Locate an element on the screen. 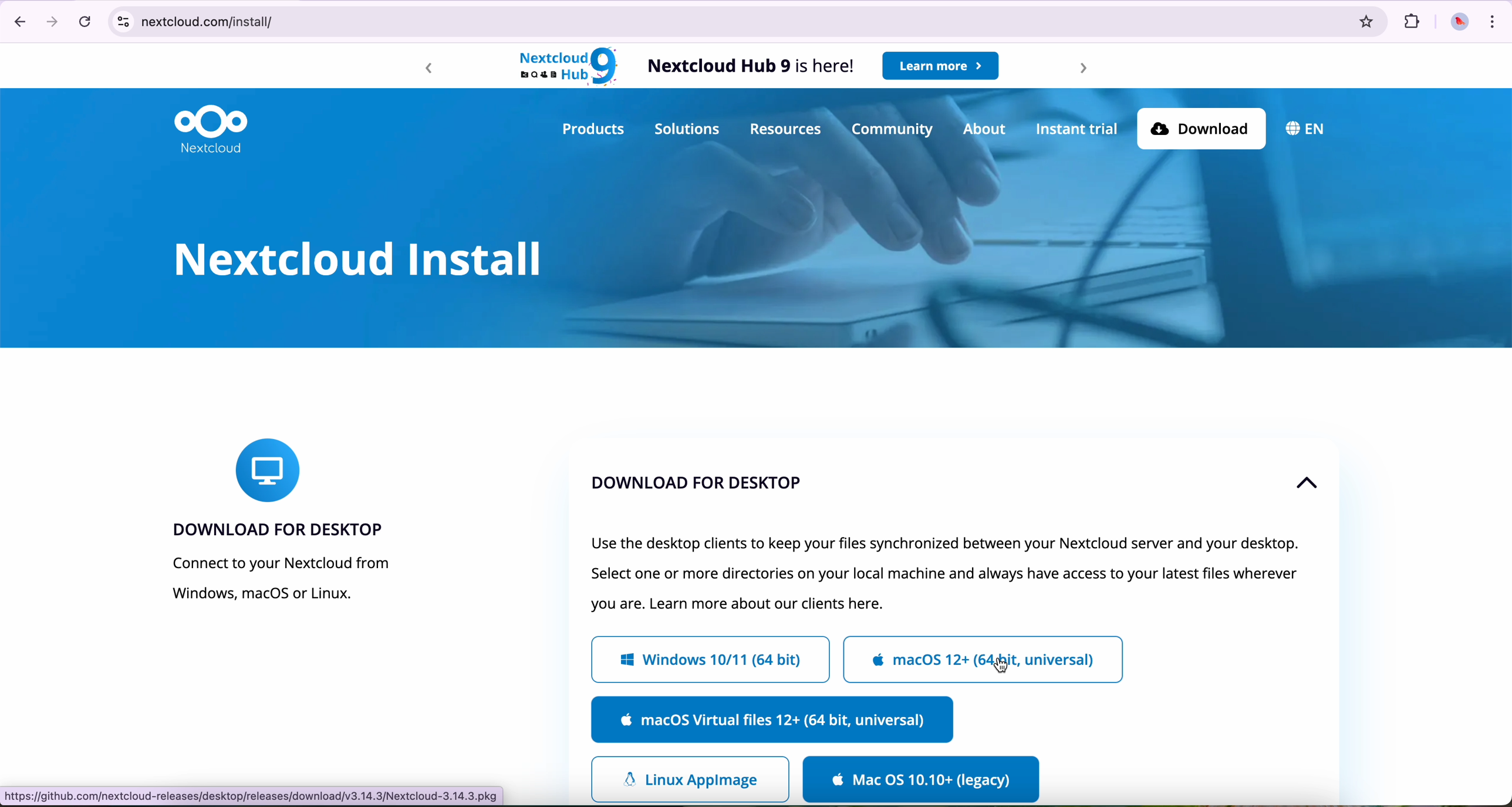 Image resolution: width=1512 pixels, height=807 pixels. image of background is located at coordinates (1034, 251).